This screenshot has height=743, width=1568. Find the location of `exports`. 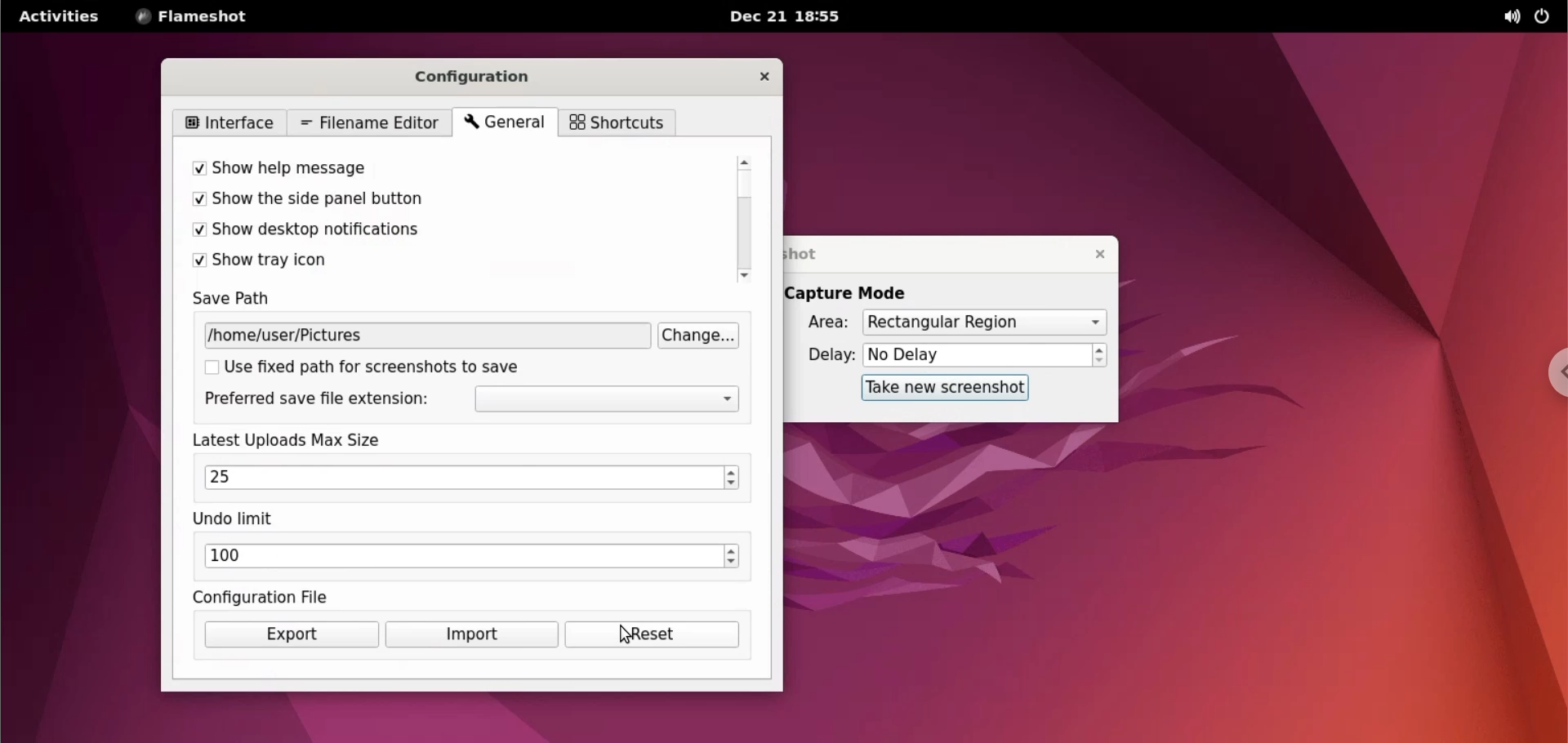

exports is located at coordinates (291, 635).